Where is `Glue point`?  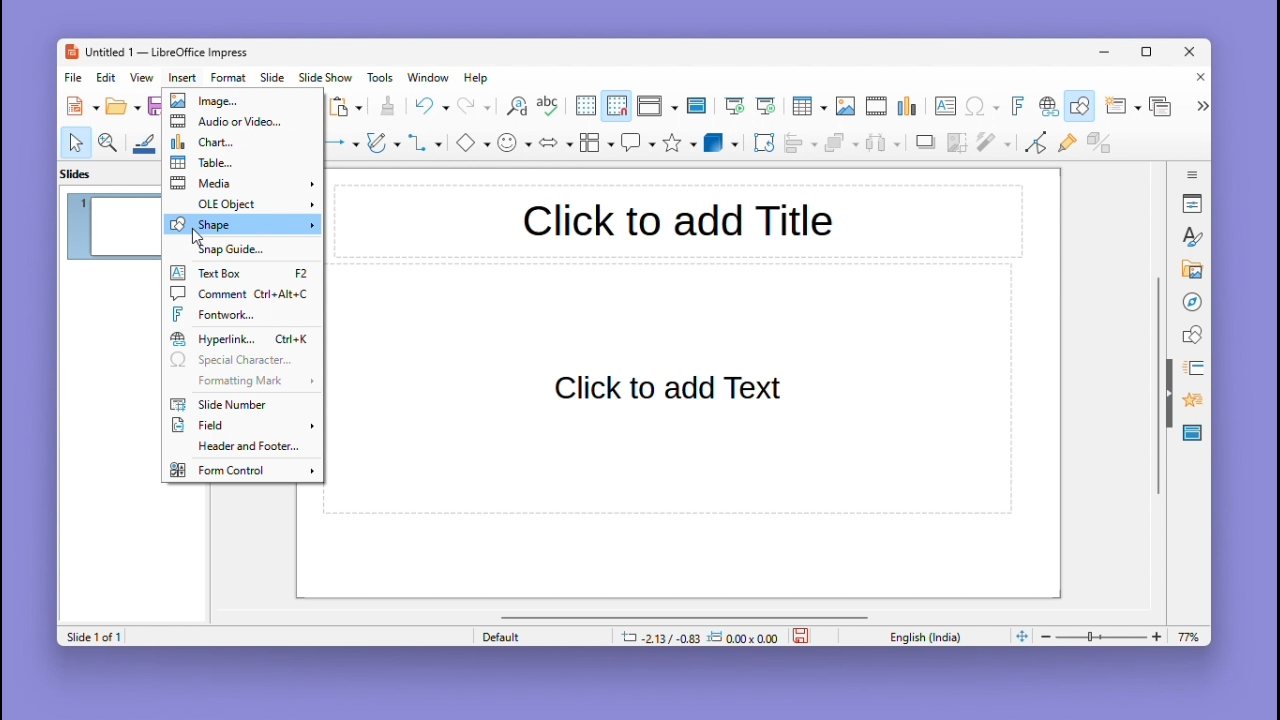 Glue point is located at coordinates (1071, 145).